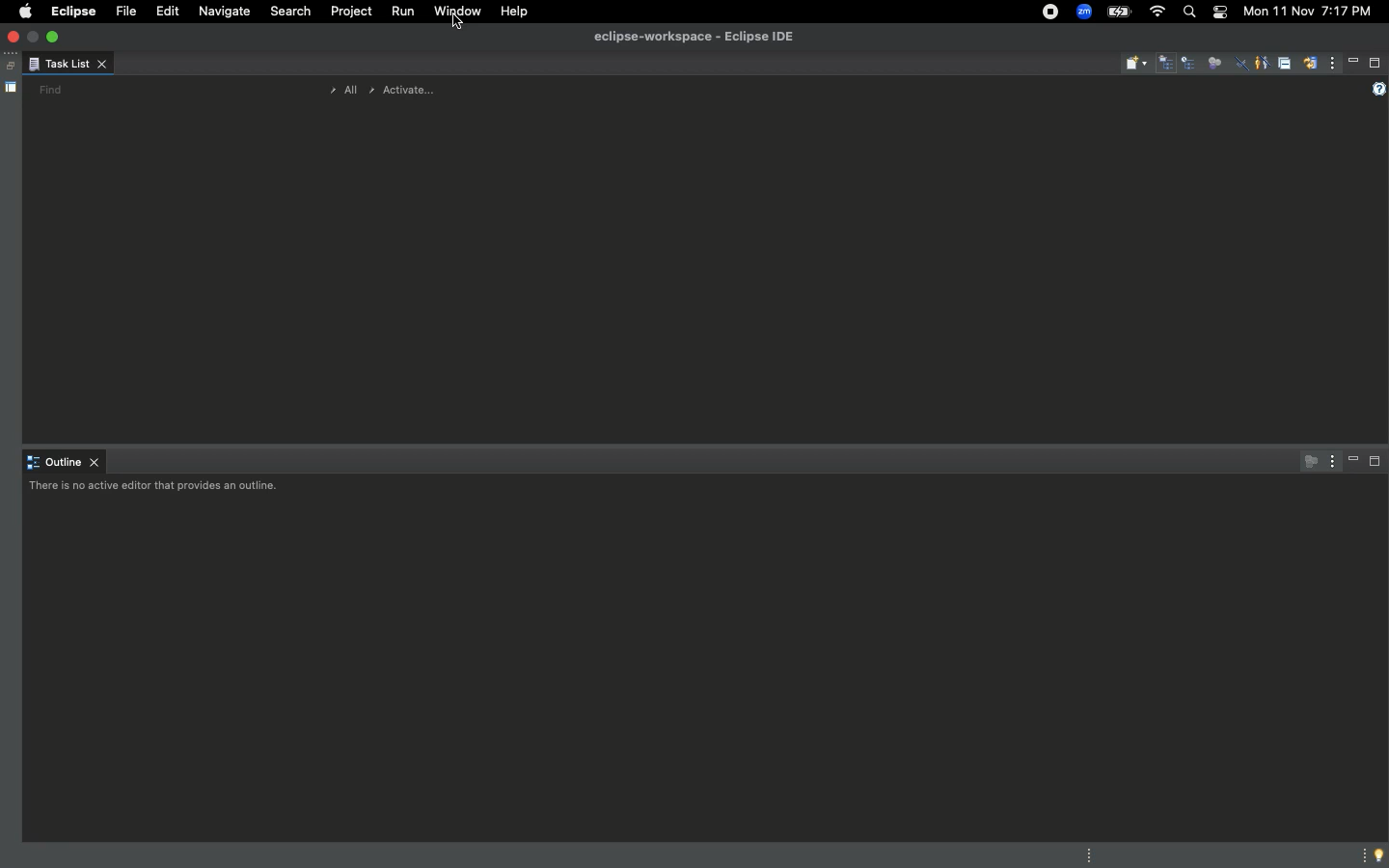 This screenshot has height=868, width=1389. What do you see at coordinates (1121, 12) in the screenshot?
I see `Charge` at bounding box center [1121, 12].